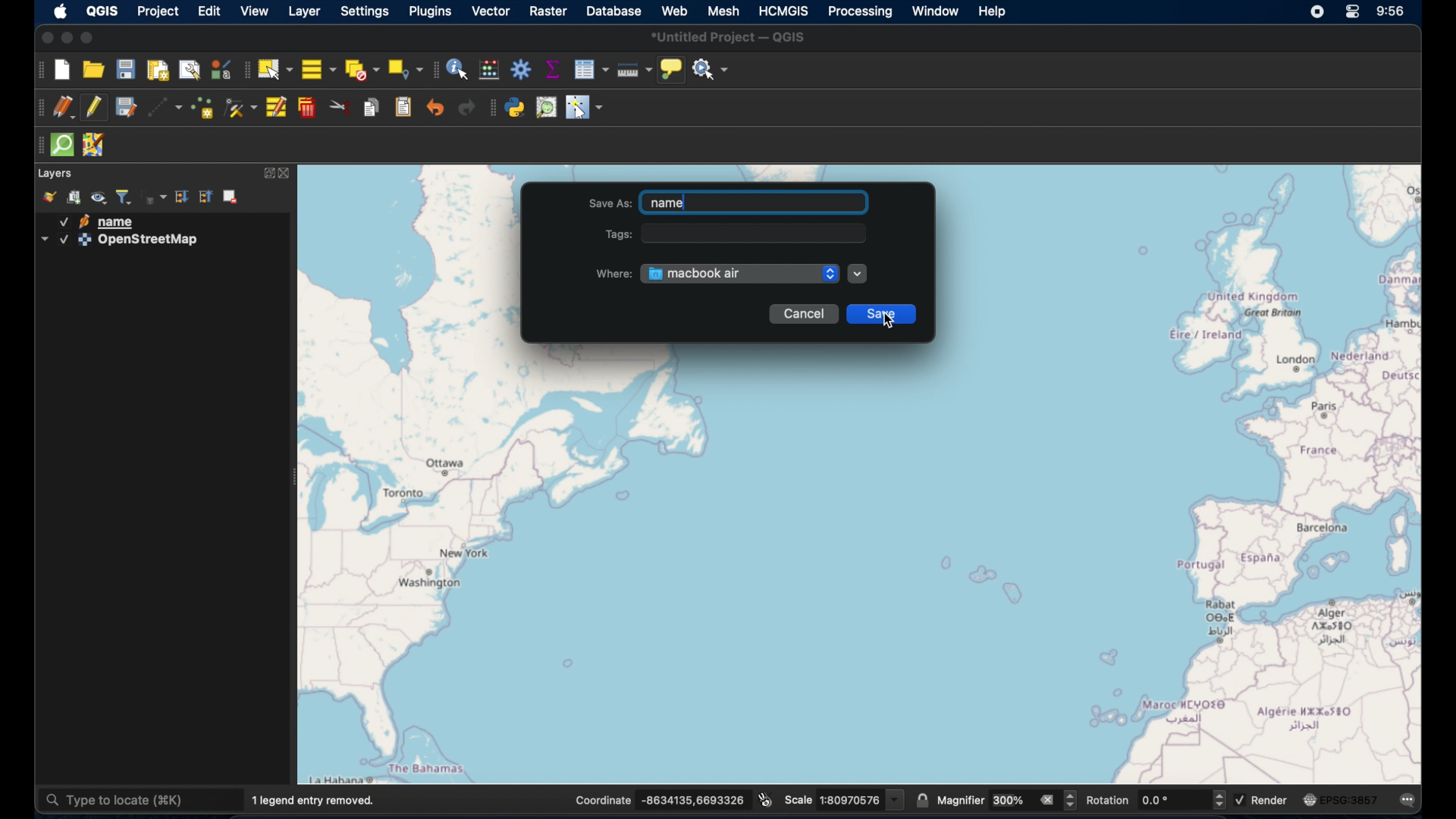  I want to click on no action selected, so click(711, 71).